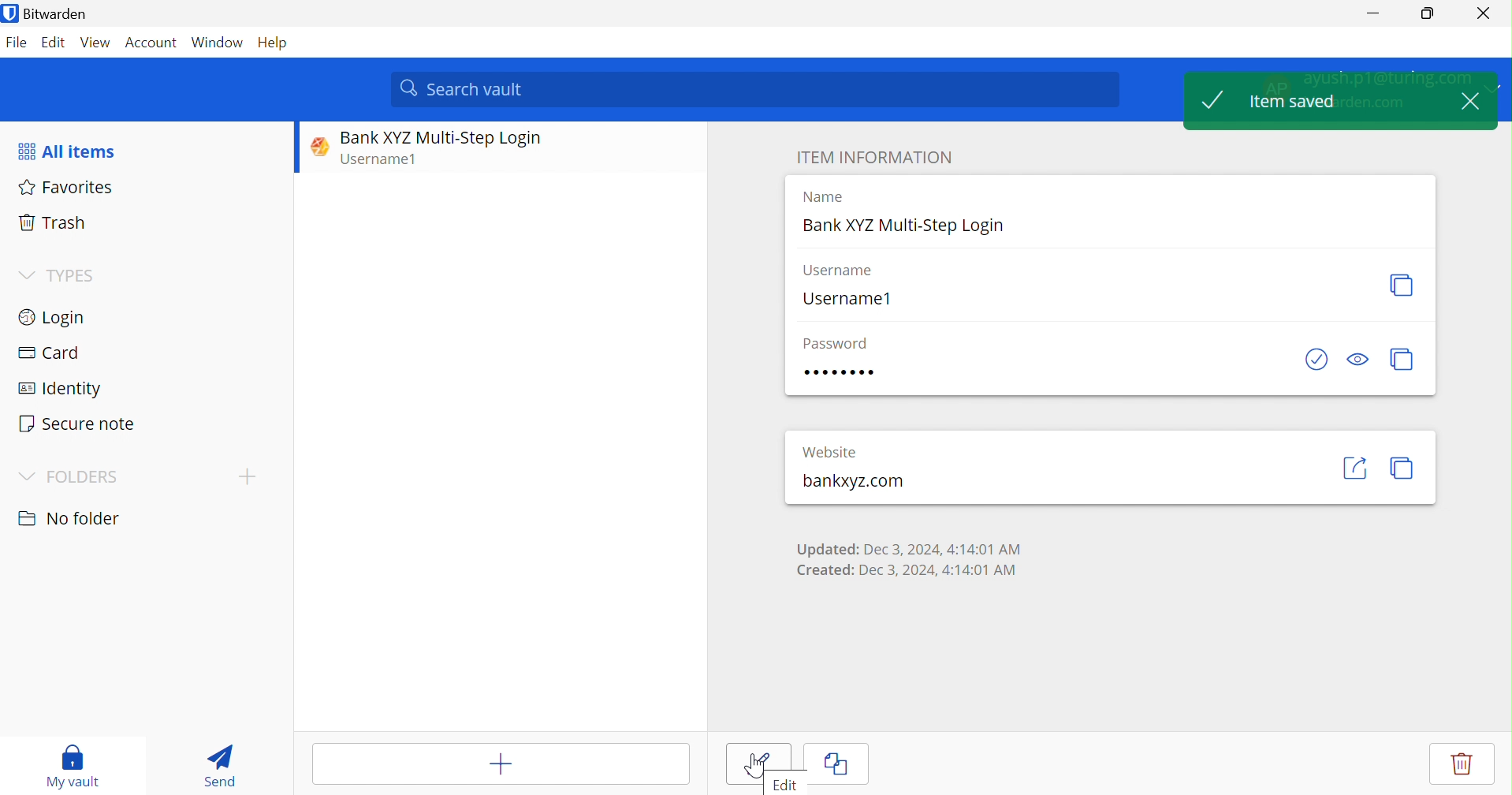 This screenshot has height=795, width=1512. I want to click on Check if password has been exposed, so click(1316, 361).